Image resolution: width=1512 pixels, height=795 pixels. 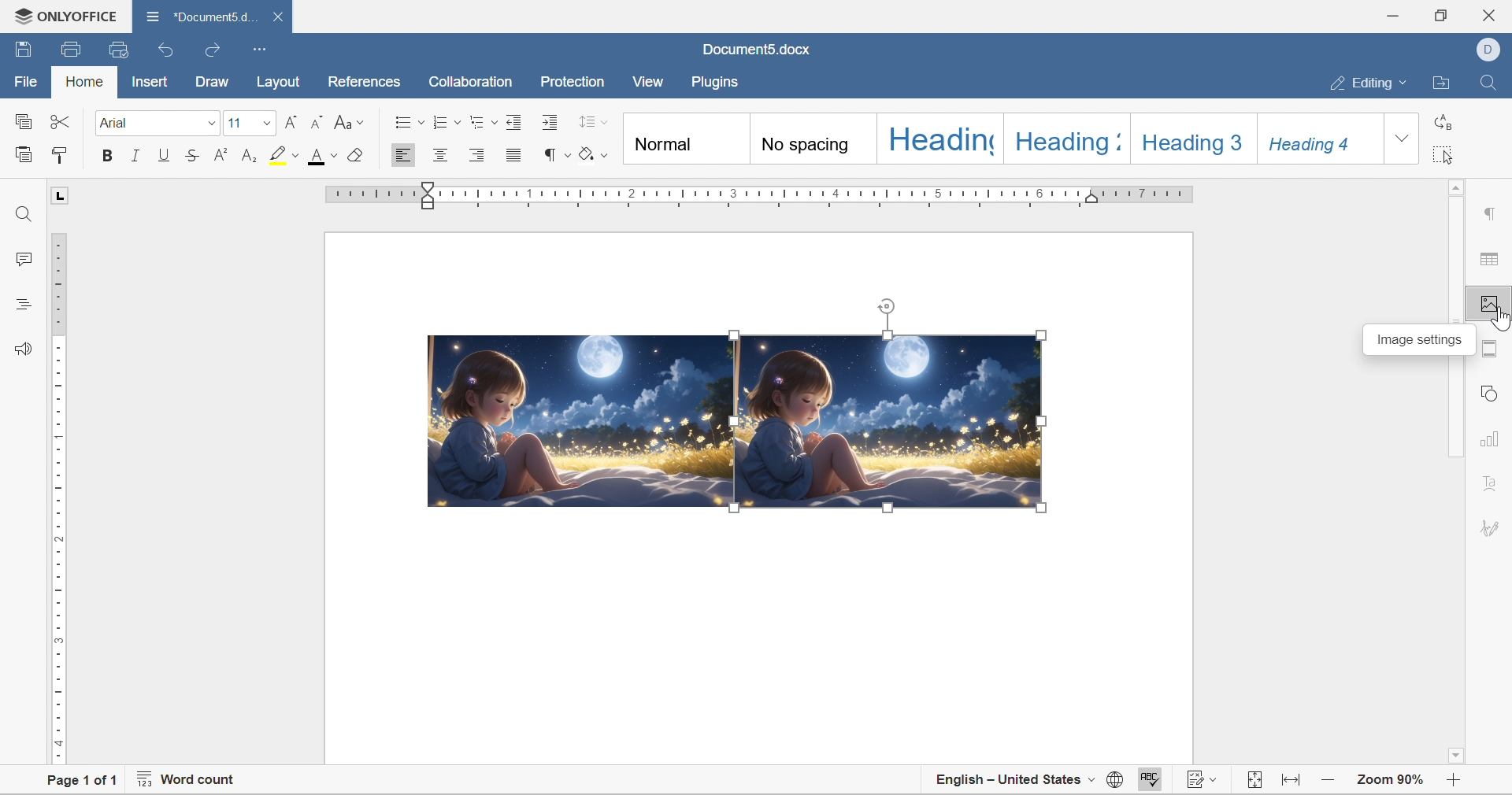 I want to click on find, so click(x=24, y=216).